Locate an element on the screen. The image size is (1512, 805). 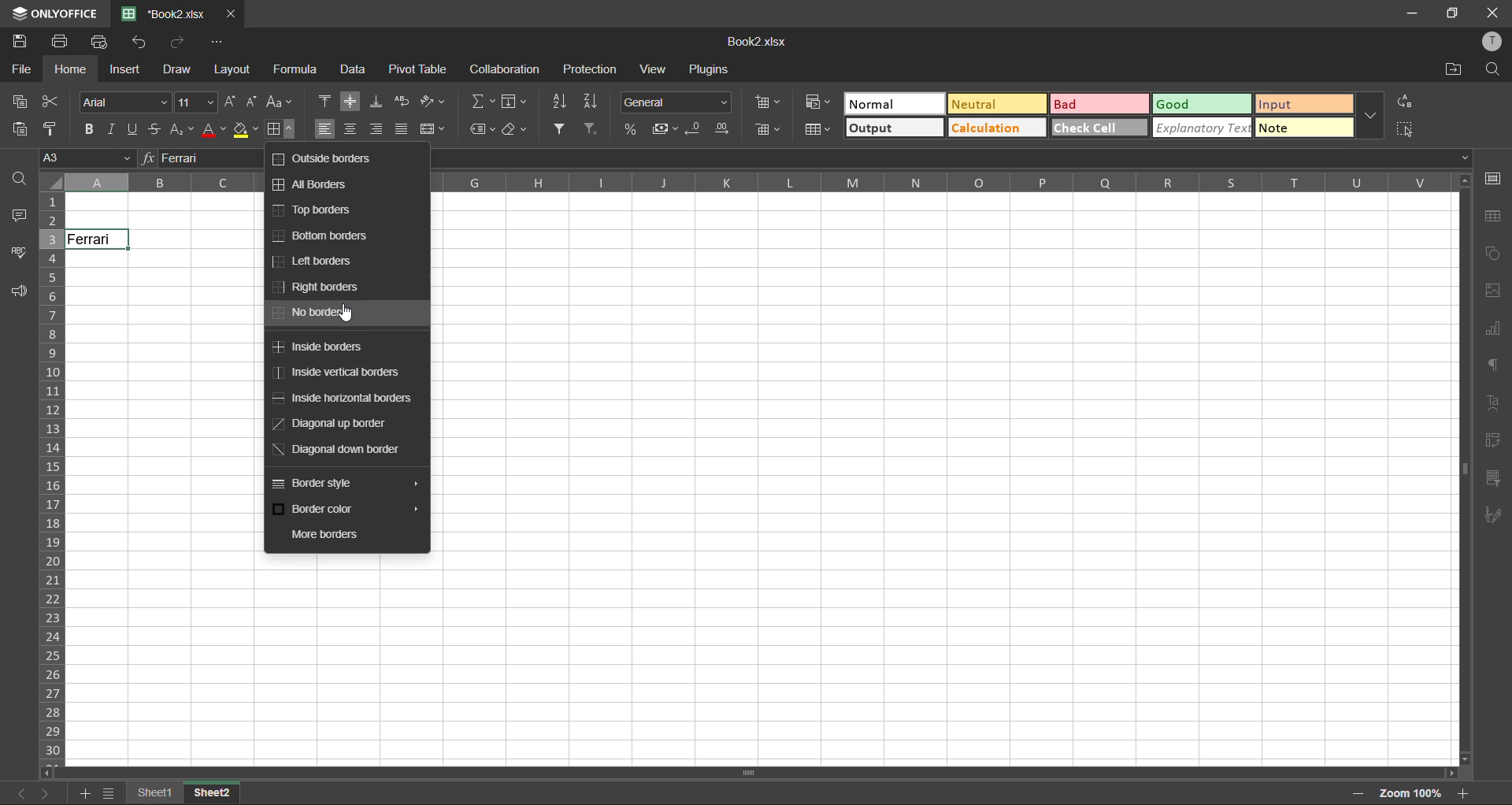
find is located at coordinates (18, 177).